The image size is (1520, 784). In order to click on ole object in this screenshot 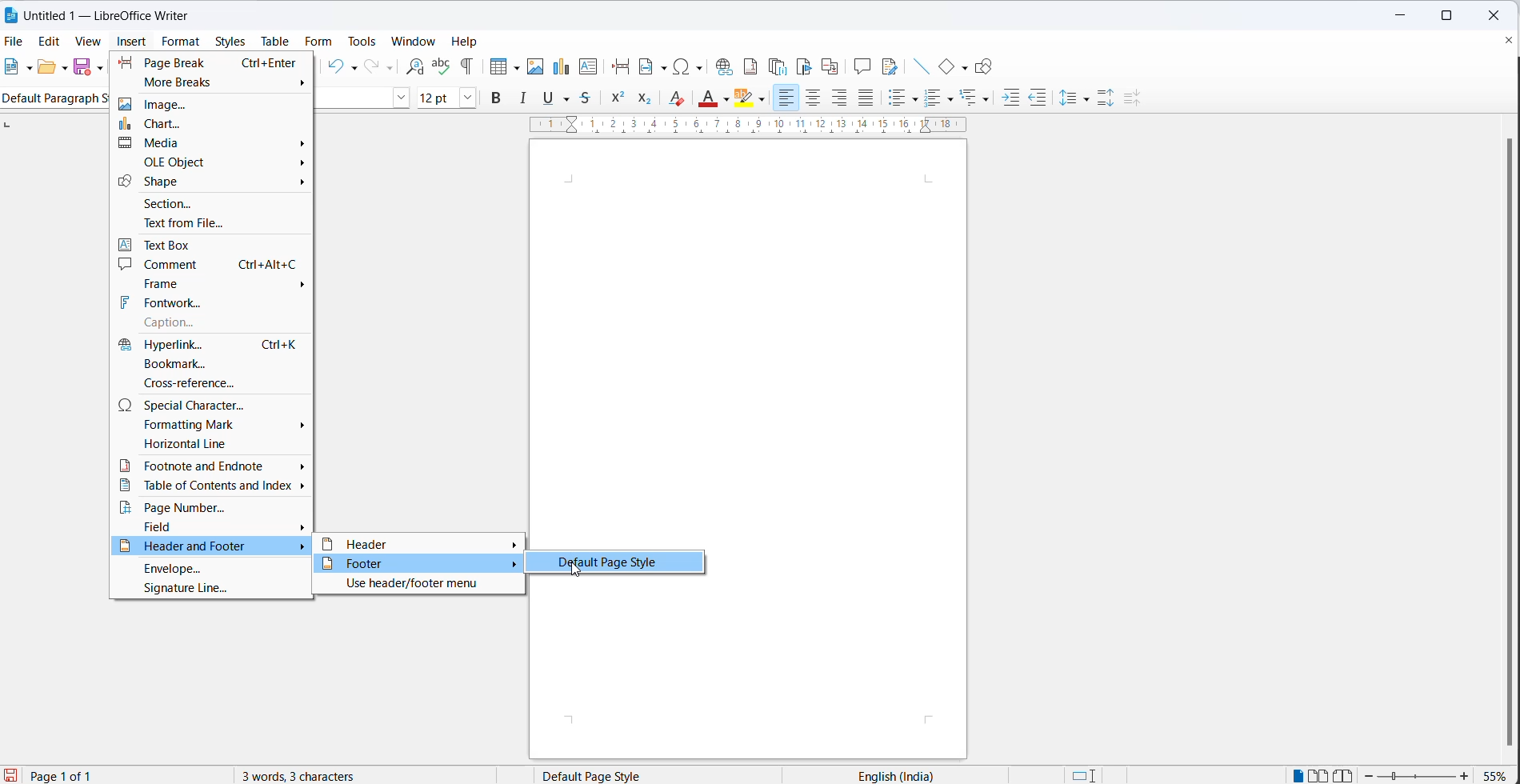, I will do `click(211, 162)`.